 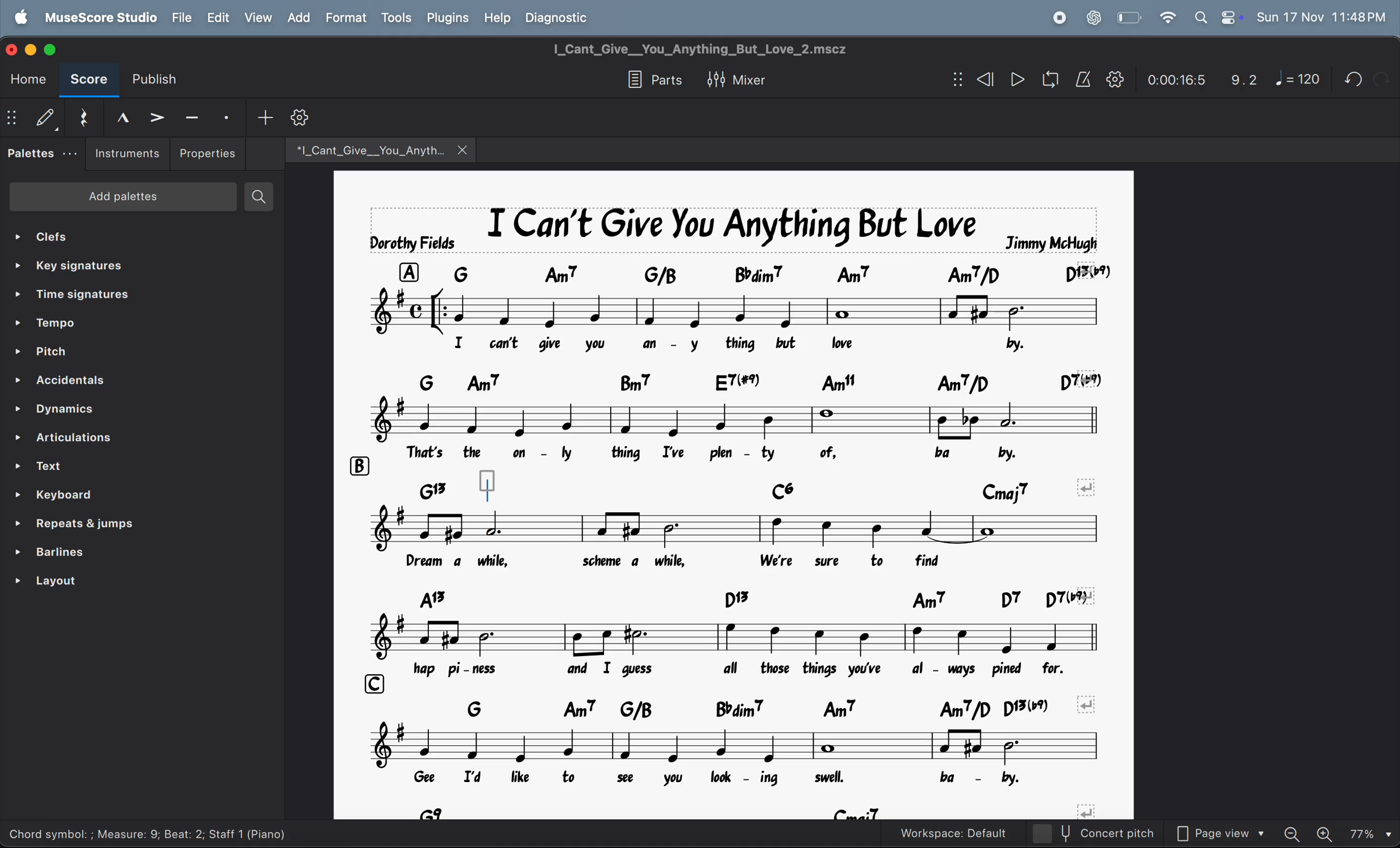 What do you see at coordinates (43, 152) in the screenshot?
I see `palettes` at bounding box center [43, 152].